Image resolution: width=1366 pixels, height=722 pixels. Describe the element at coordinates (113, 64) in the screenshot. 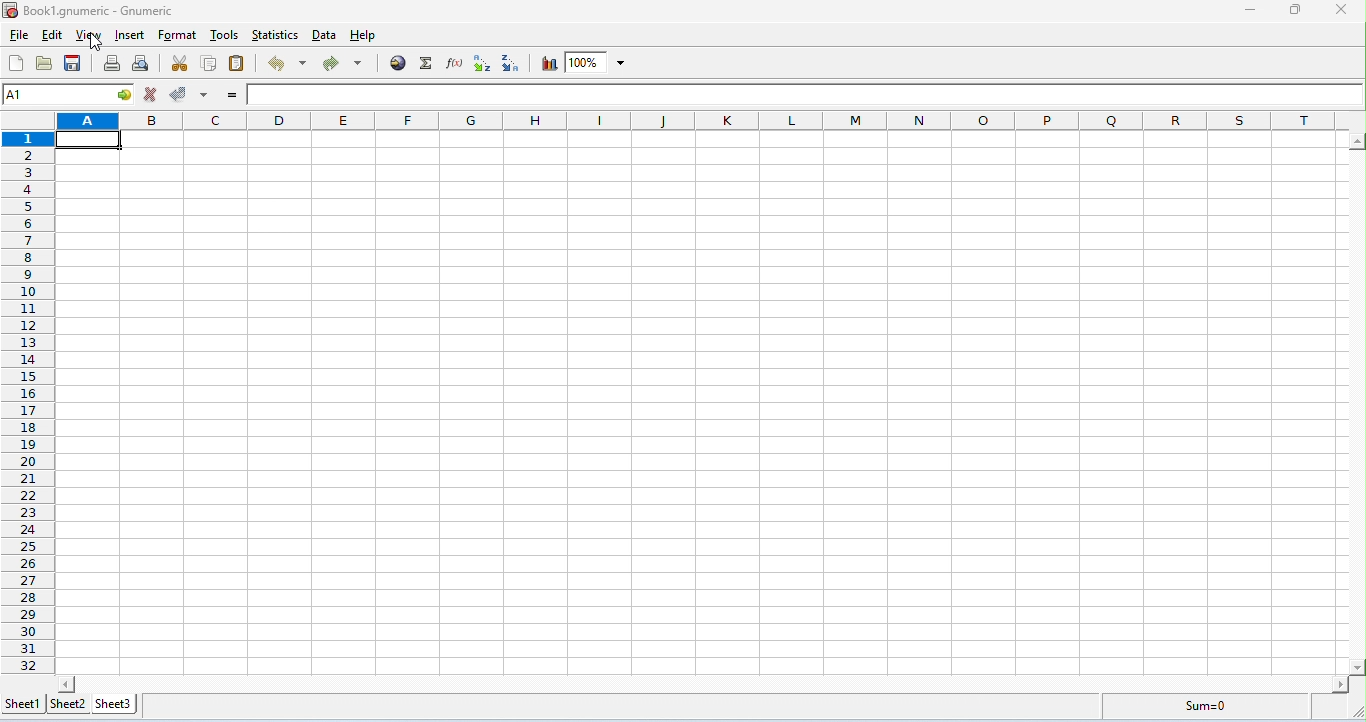

I see `print` at that location.